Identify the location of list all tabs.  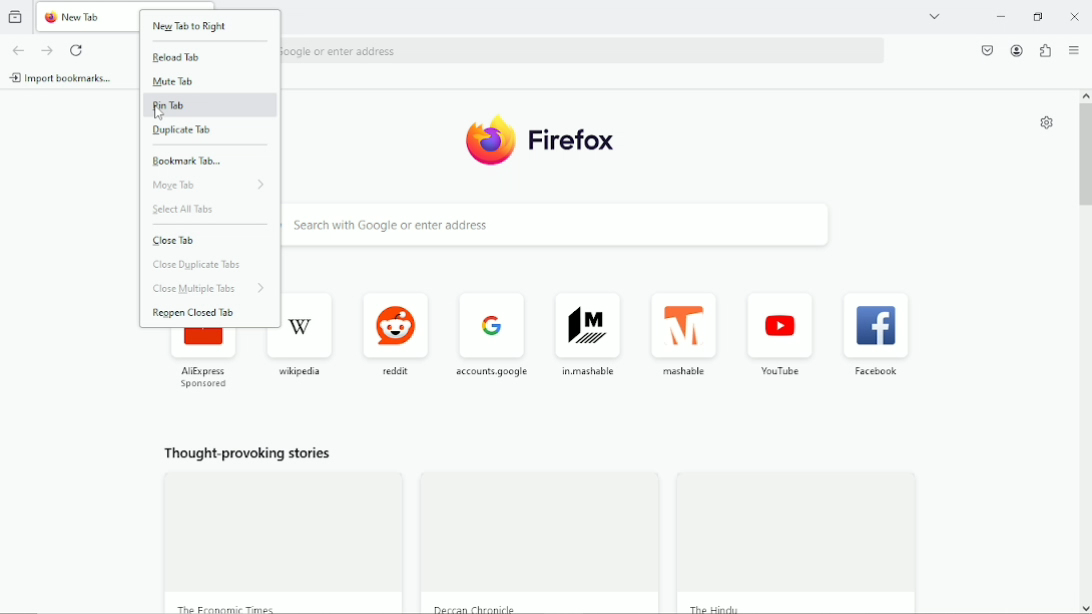
(936, 16).